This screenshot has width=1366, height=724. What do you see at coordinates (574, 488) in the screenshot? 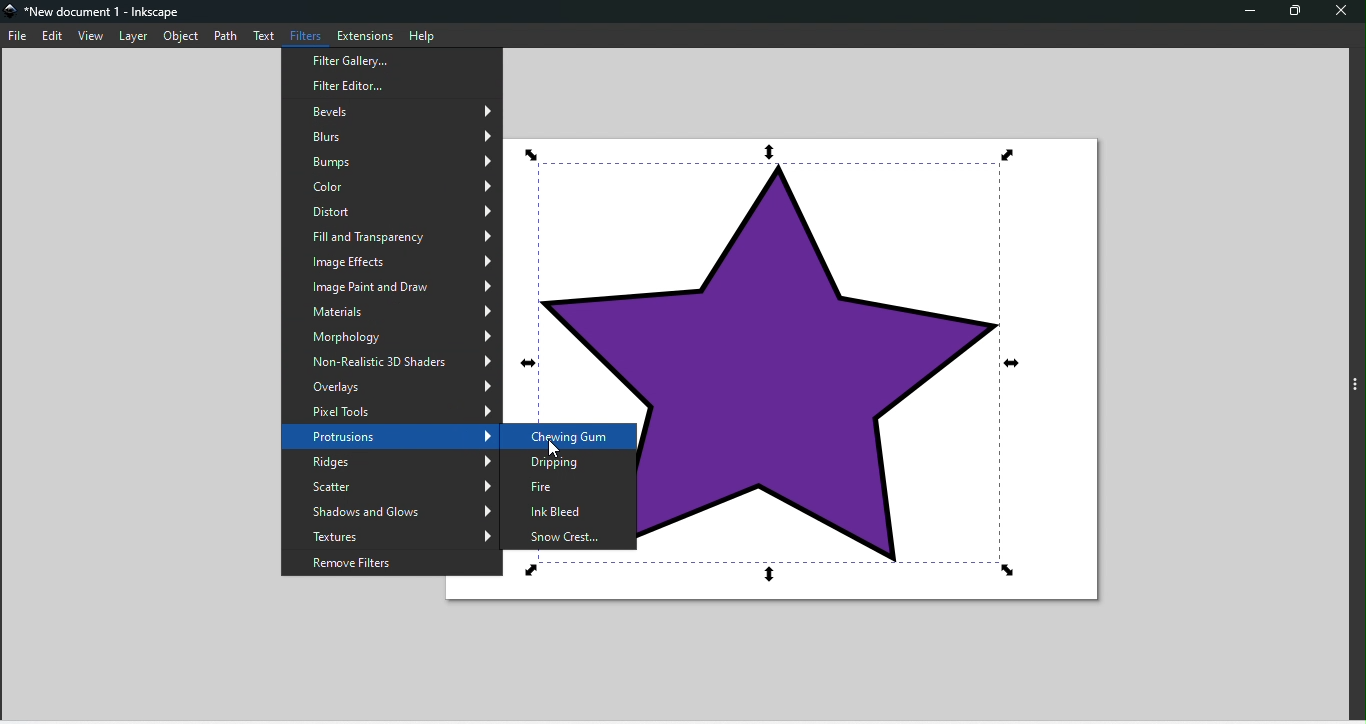
I see `Fire` at bounding box center [574, 488].